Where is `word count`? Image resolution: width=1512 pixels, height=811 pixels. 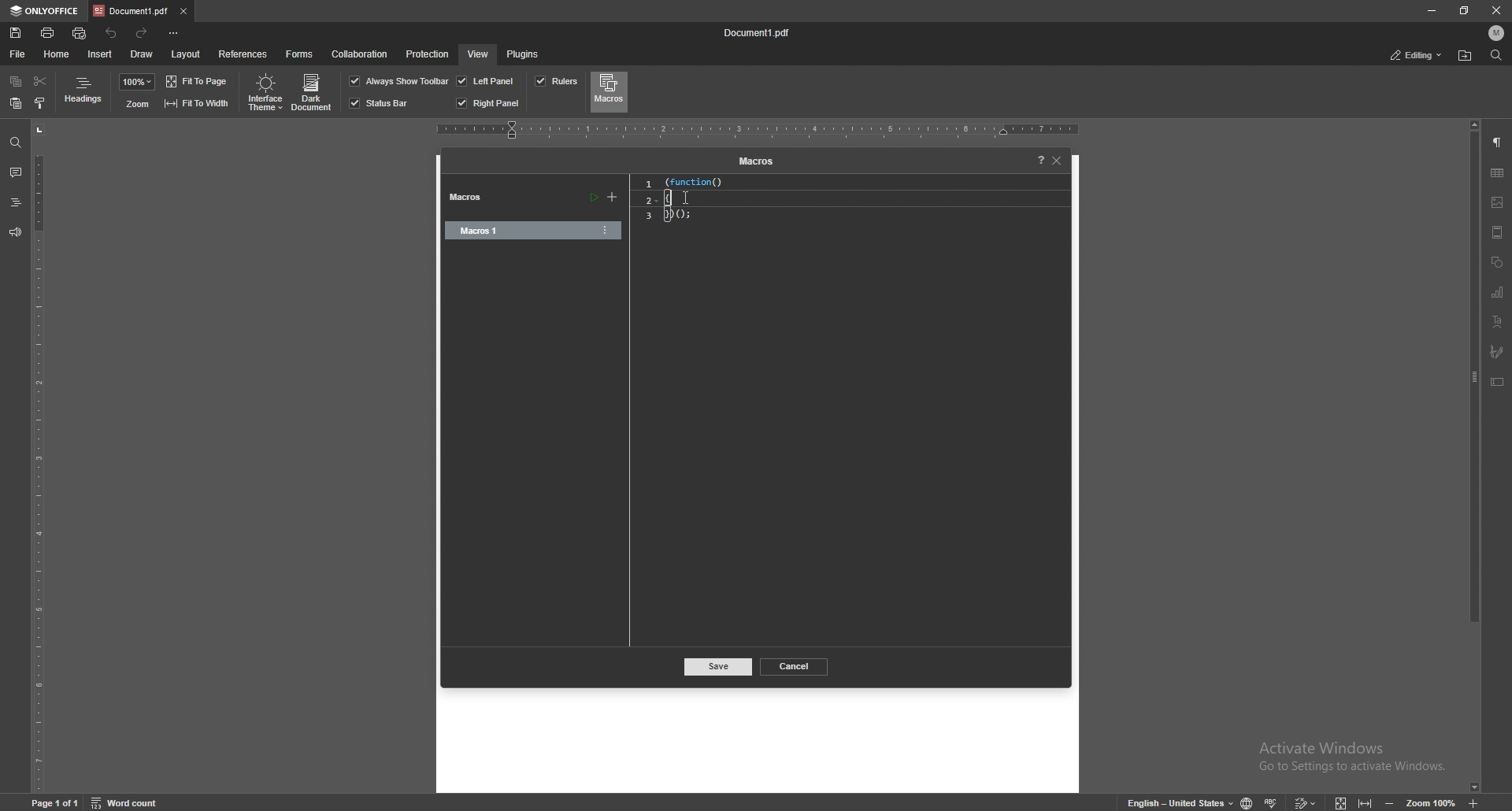
word count is located at coordinates (132, 802).